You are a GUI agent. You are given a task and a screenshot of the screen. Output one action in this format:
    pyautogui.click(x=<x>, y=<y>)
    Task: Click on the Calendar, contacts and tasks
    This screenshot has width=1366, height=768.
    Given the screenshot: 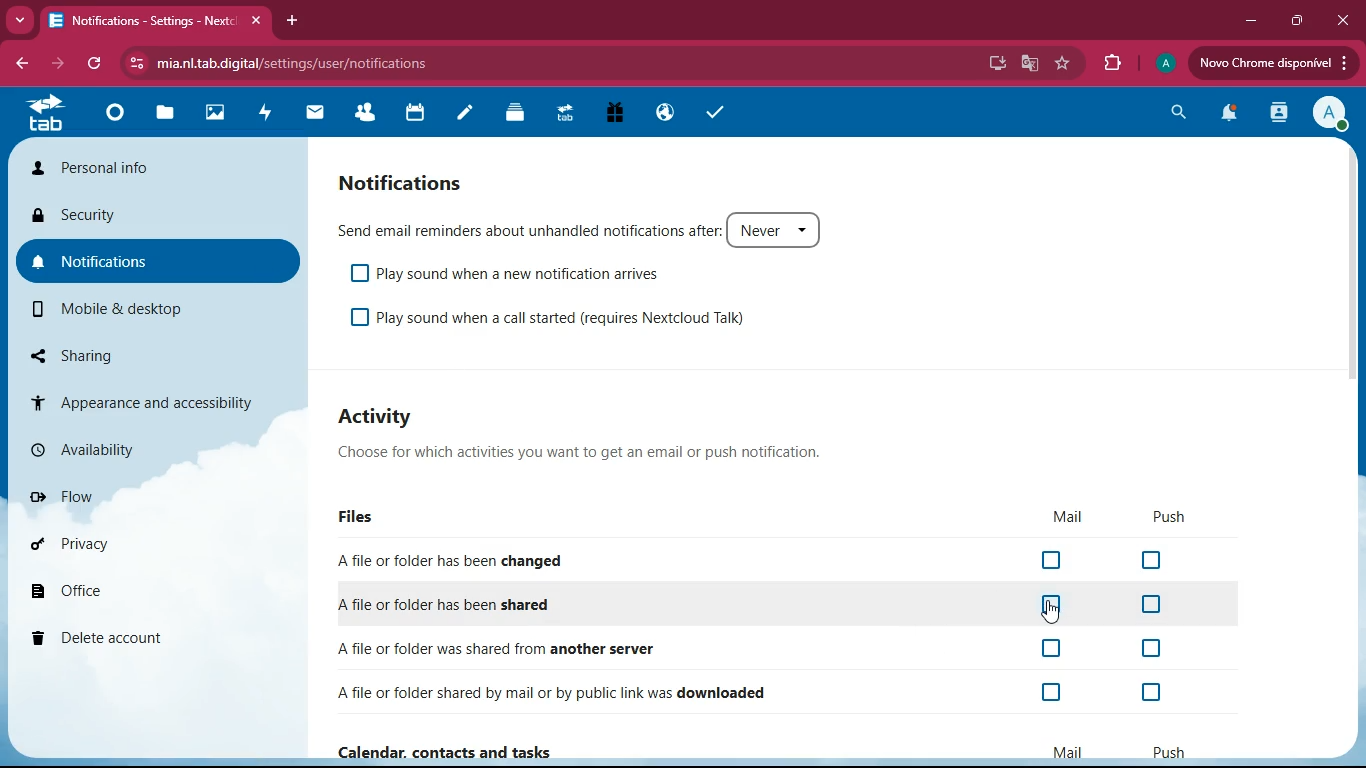 What is the action you would take?
    pyautogui.click(x=445, y=753)
    